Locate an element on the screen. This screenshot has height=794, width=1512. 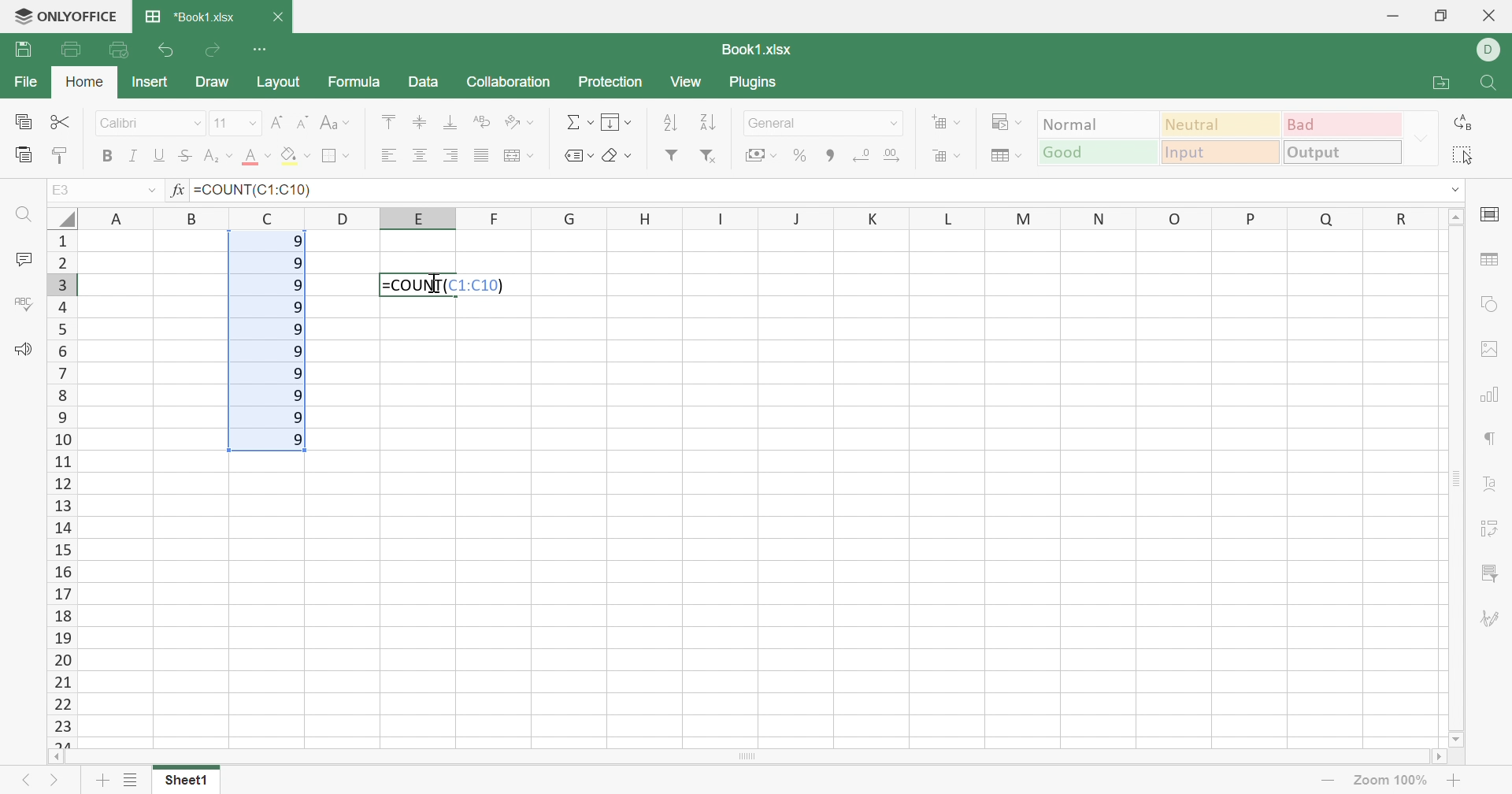
9 is located at coordinates (297, 305).